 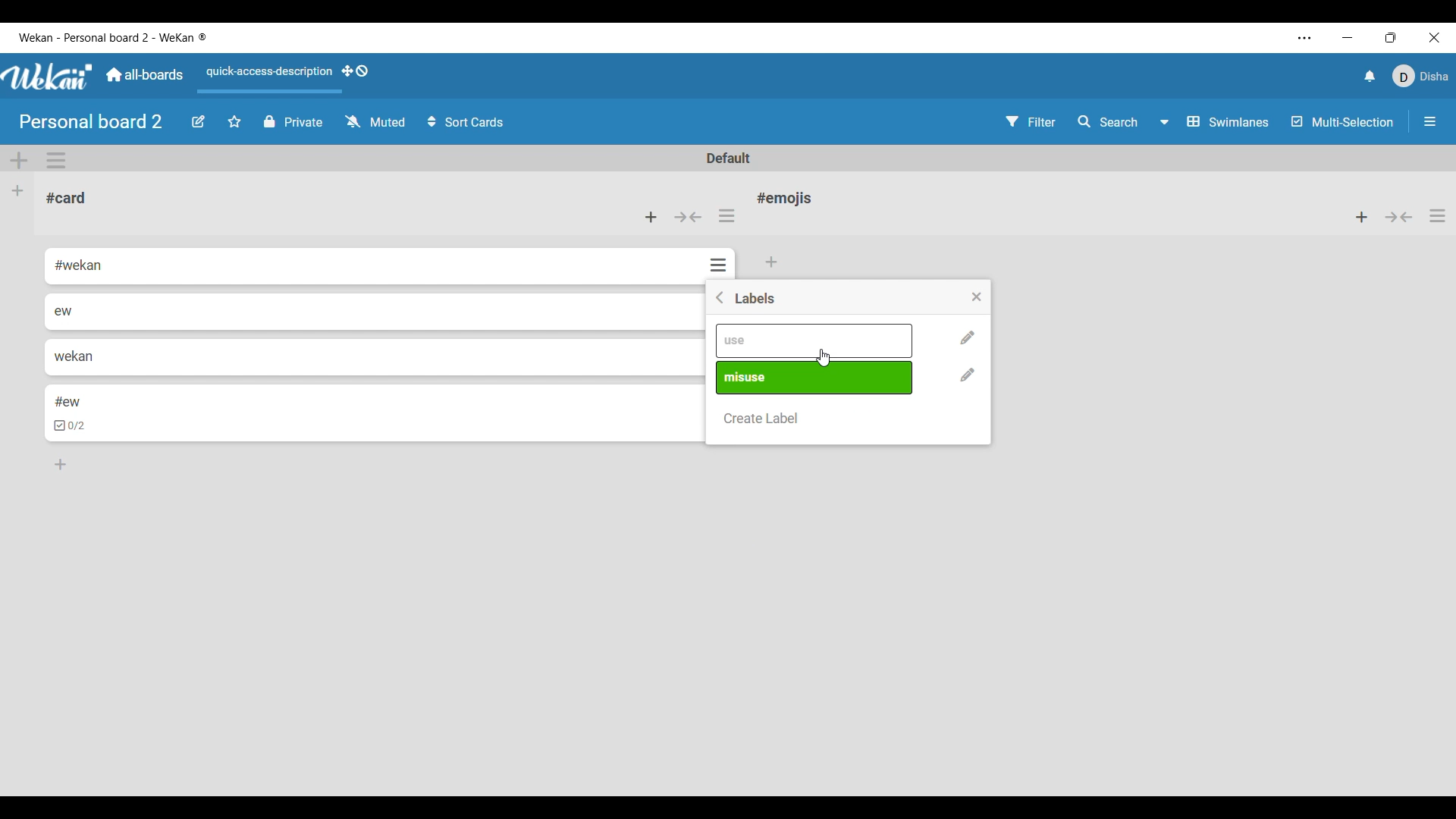 I want to click on Notifications , so click(x=1370, y=77).